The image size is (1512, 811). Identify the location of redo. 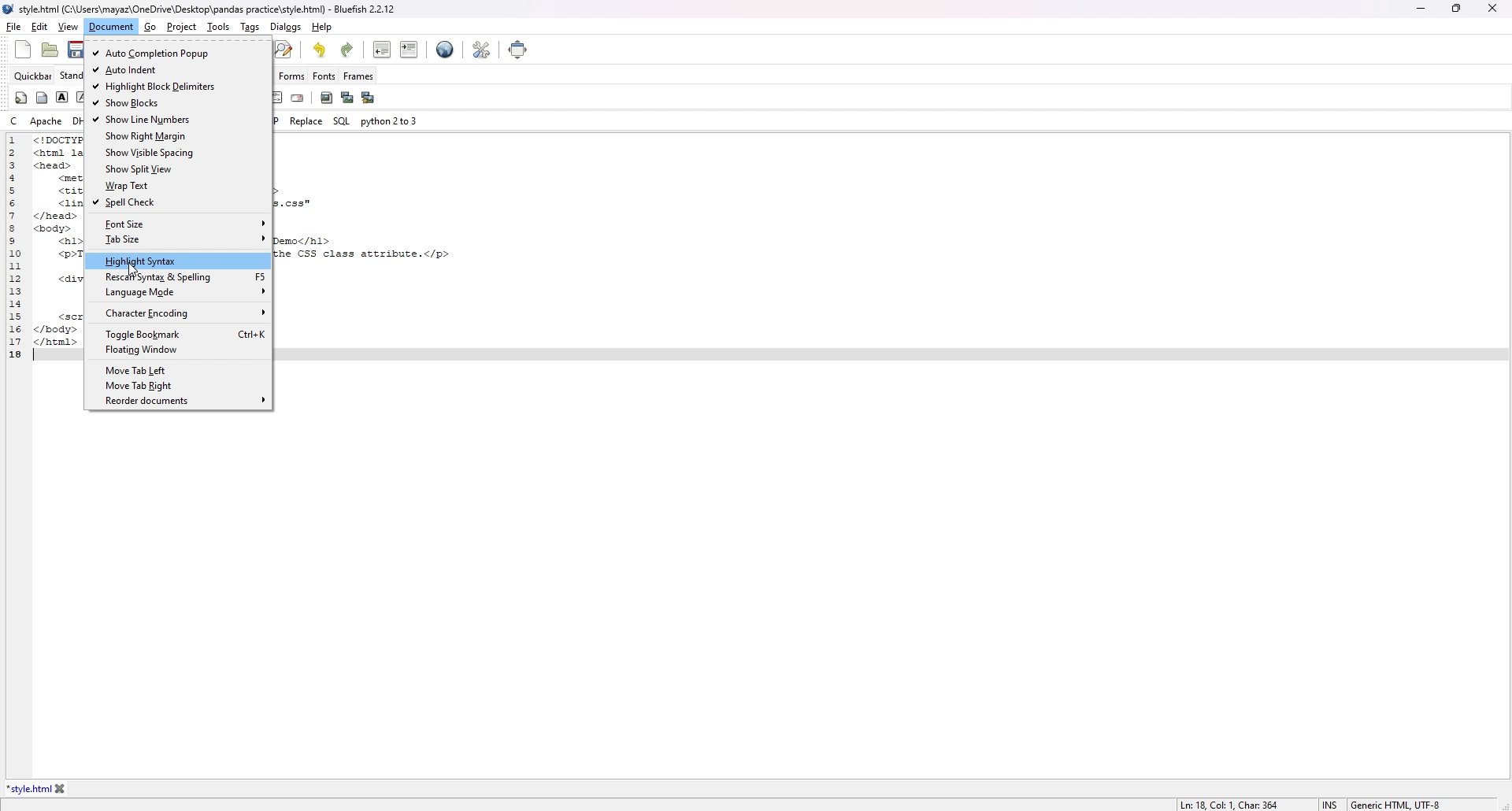
(348, 50).